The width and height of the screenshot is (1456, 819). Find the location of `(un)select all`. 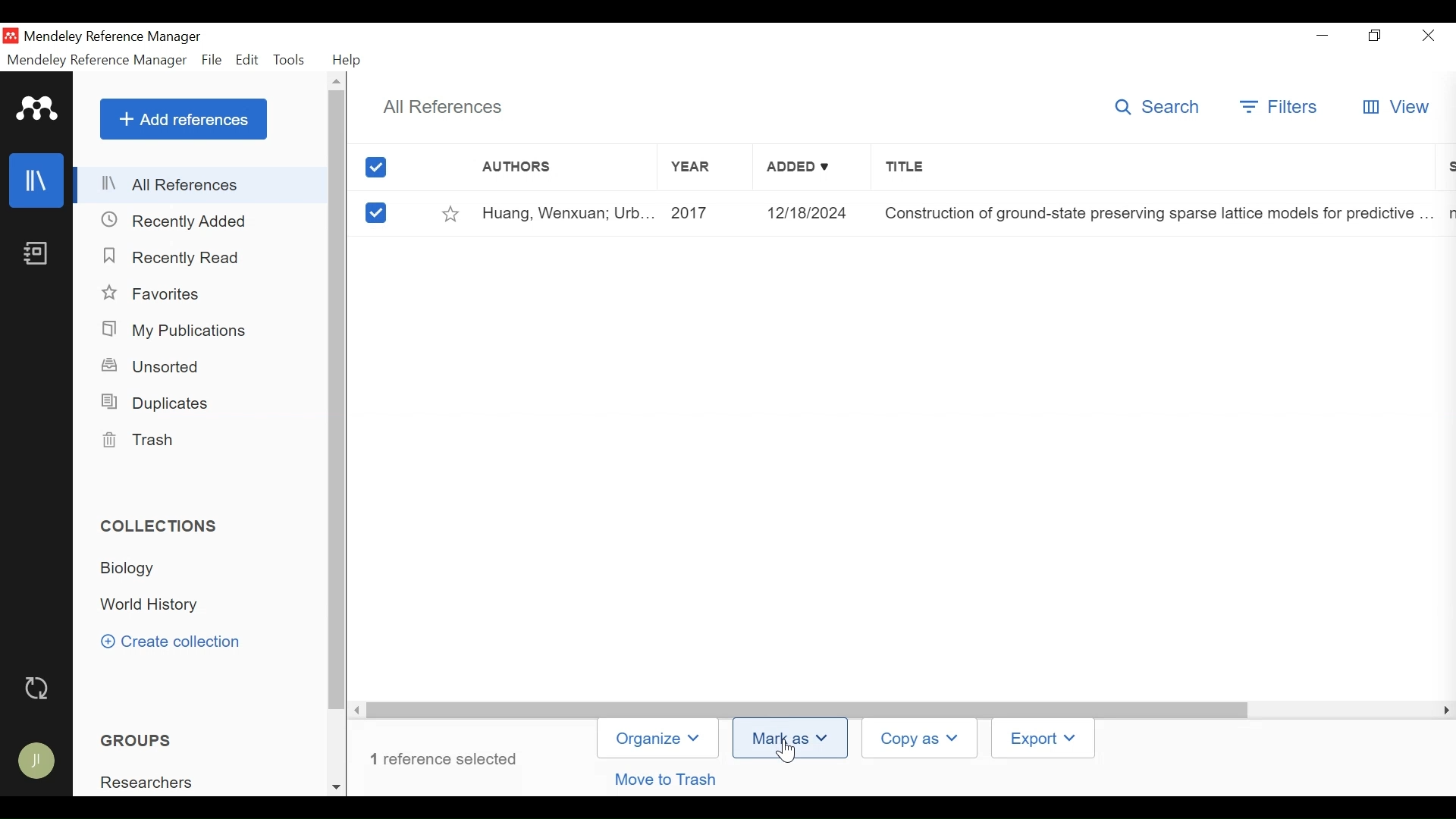

(un)select all is located at coordinates (375, 168).